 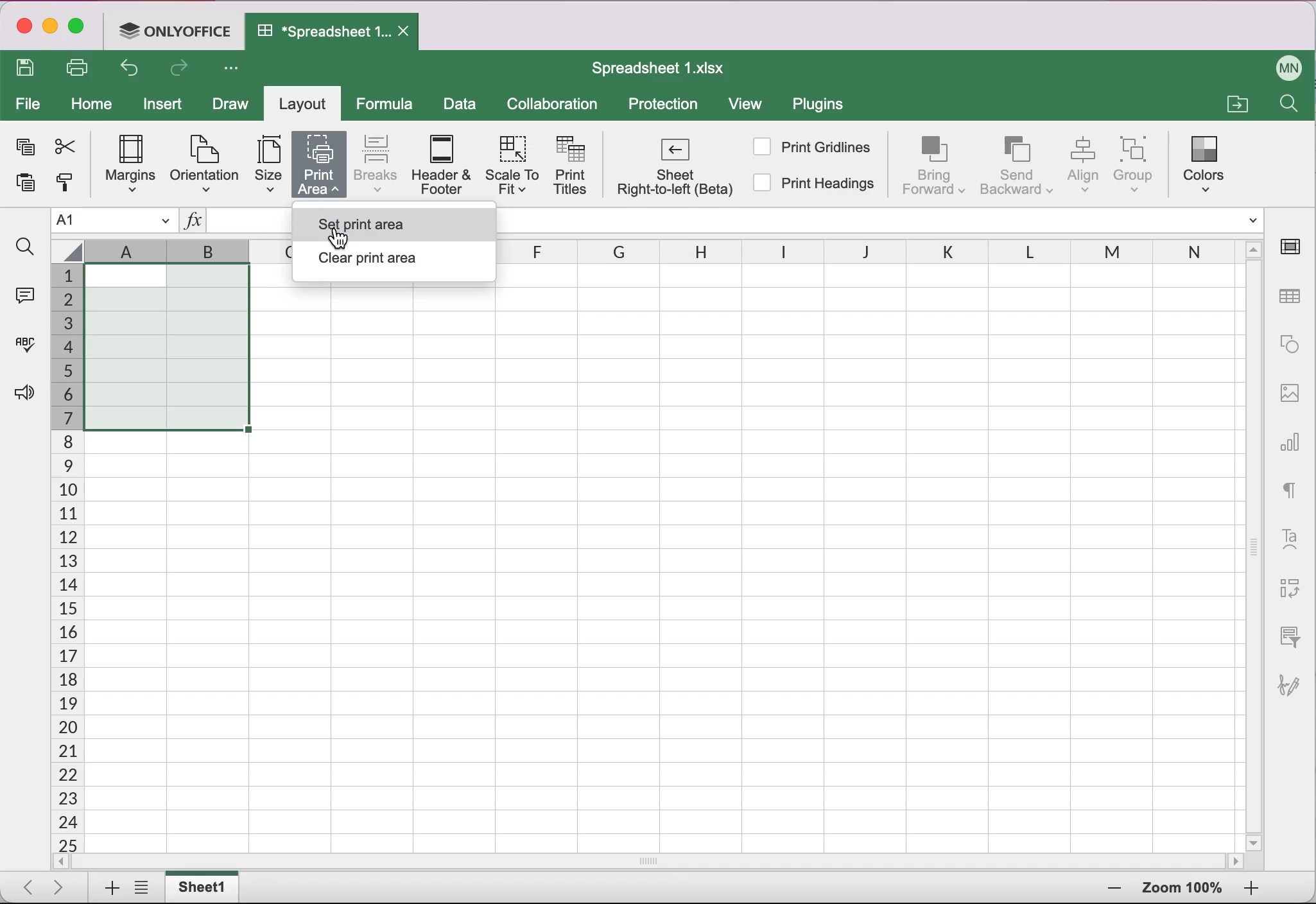 What do you see at coordinates (1292, 297) in the screenshot?
I see `table` at bounding box center [1292, 297].